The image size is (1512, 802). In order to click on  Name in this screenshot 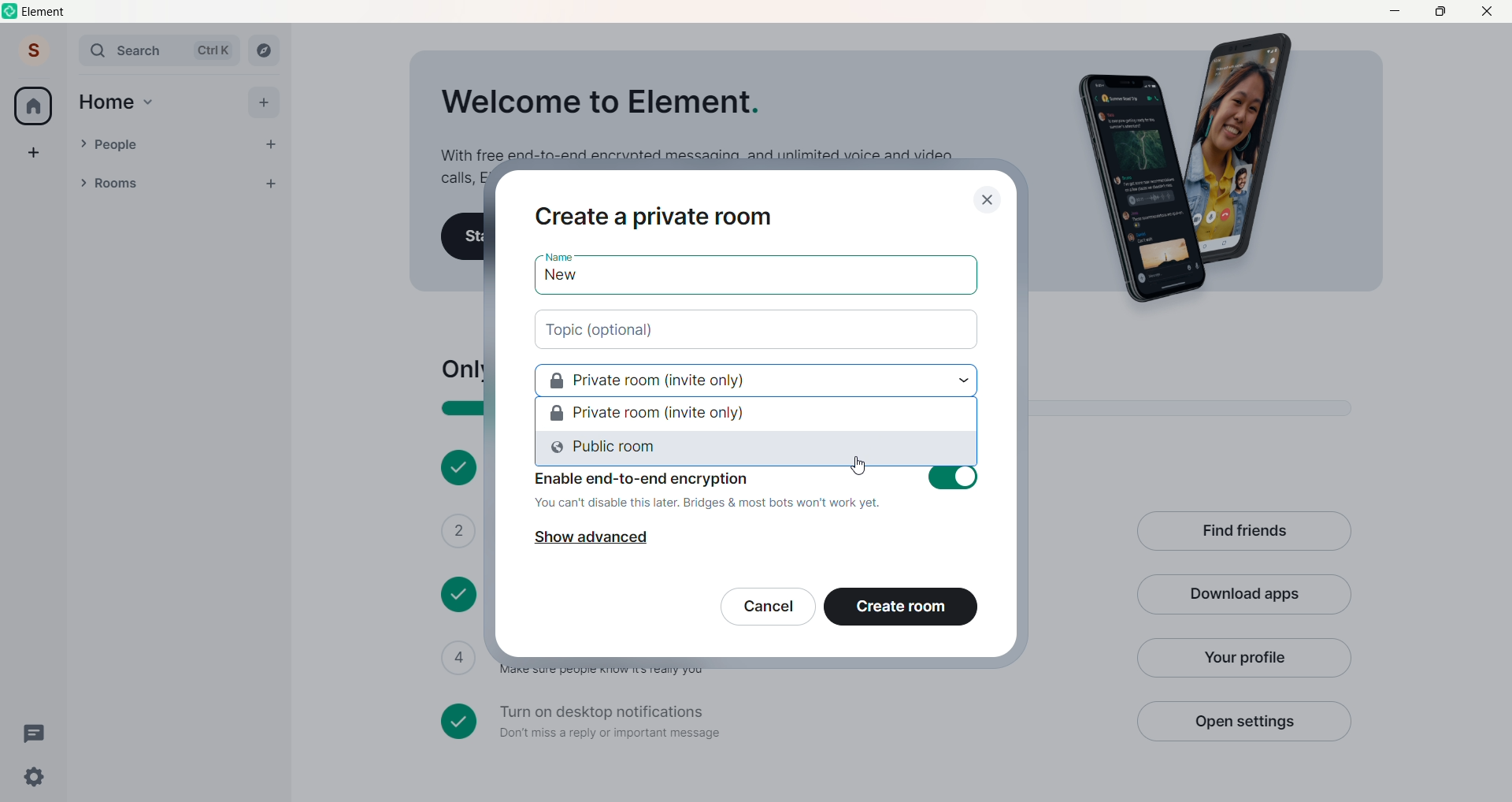, I will do `click(558, 256)`.